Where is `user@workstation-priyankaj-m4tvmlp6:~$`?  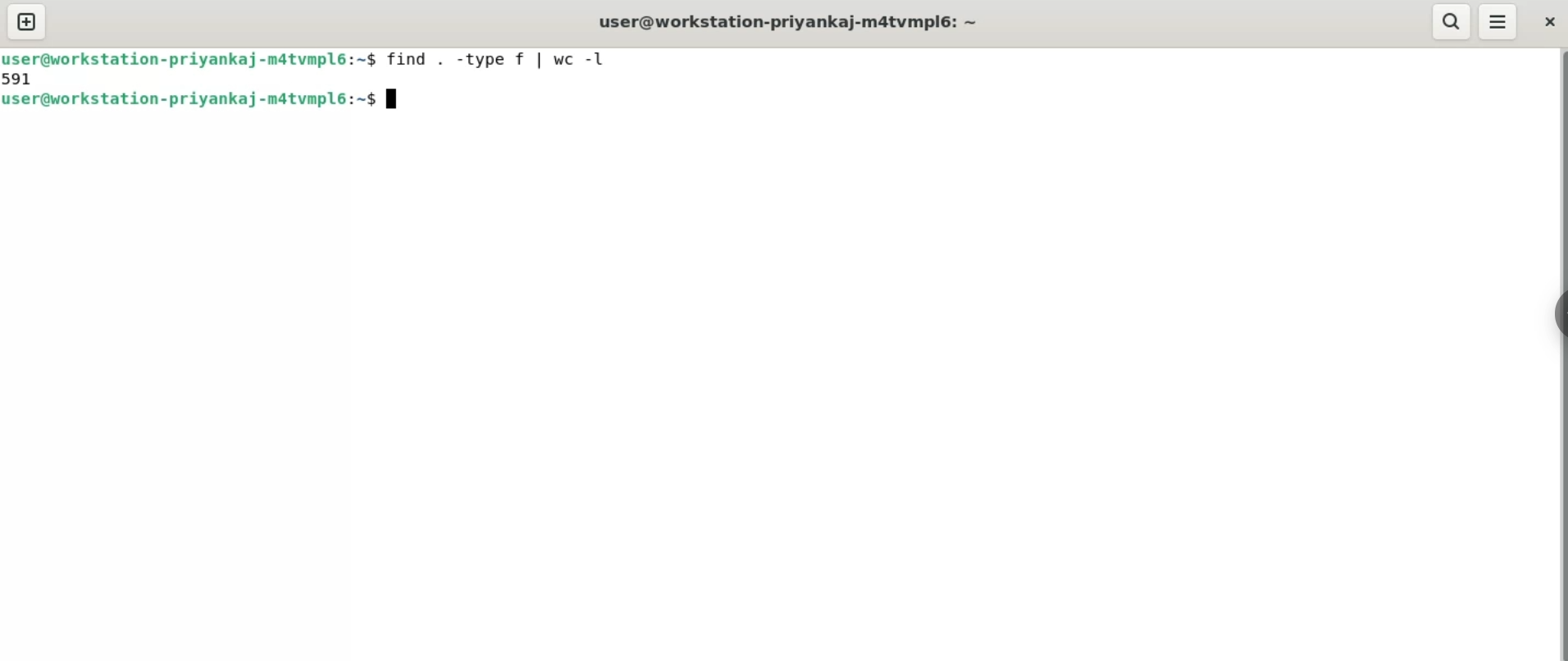 user@workstation-priyankaj-m4tvmlp6:~$ is located at coordinates (190, 100).